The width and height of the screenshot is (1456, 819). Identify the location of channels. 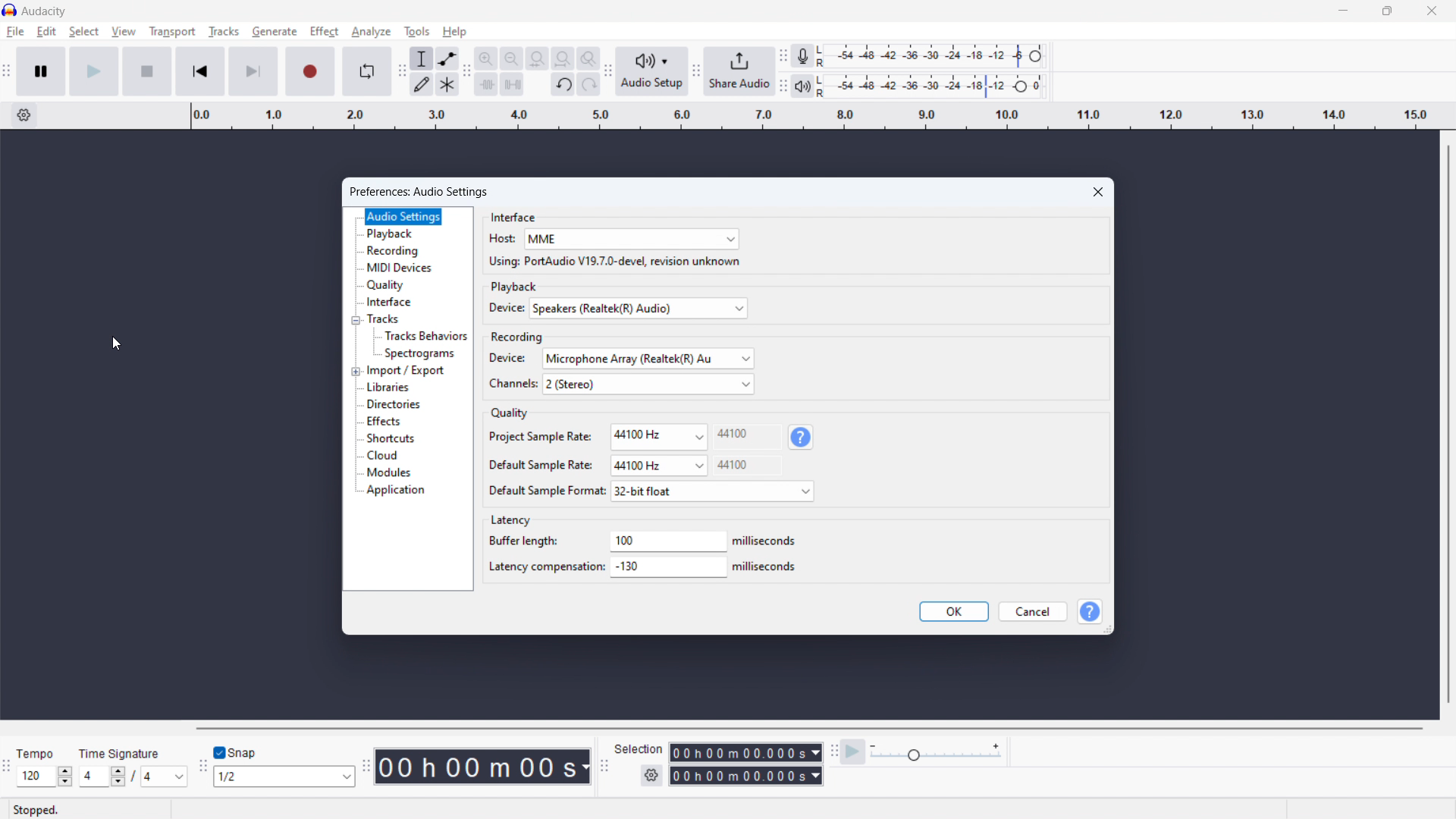
(511, 383).